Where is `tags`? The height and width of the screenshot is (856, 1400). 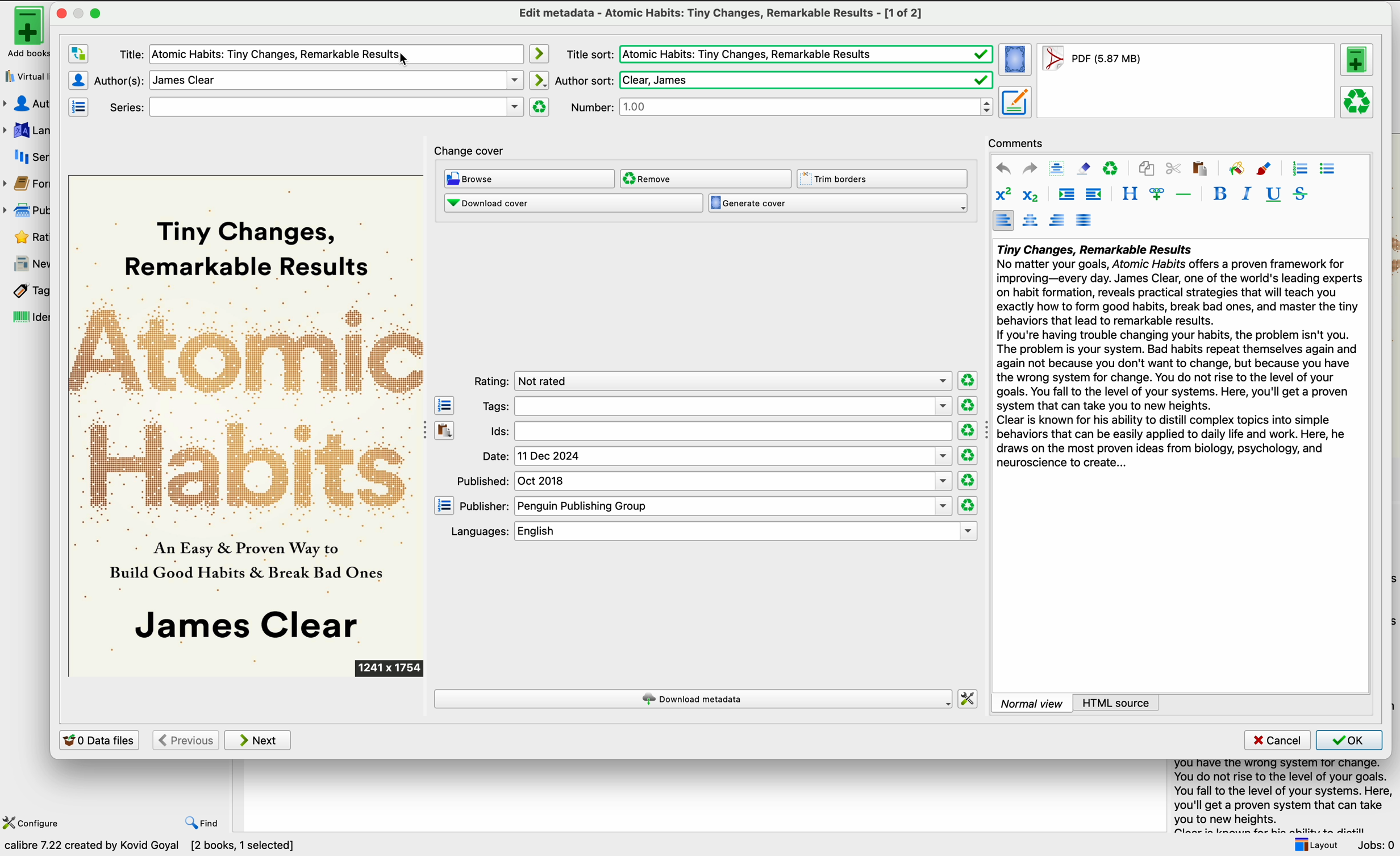
tags is located at coordinates (715, 406).